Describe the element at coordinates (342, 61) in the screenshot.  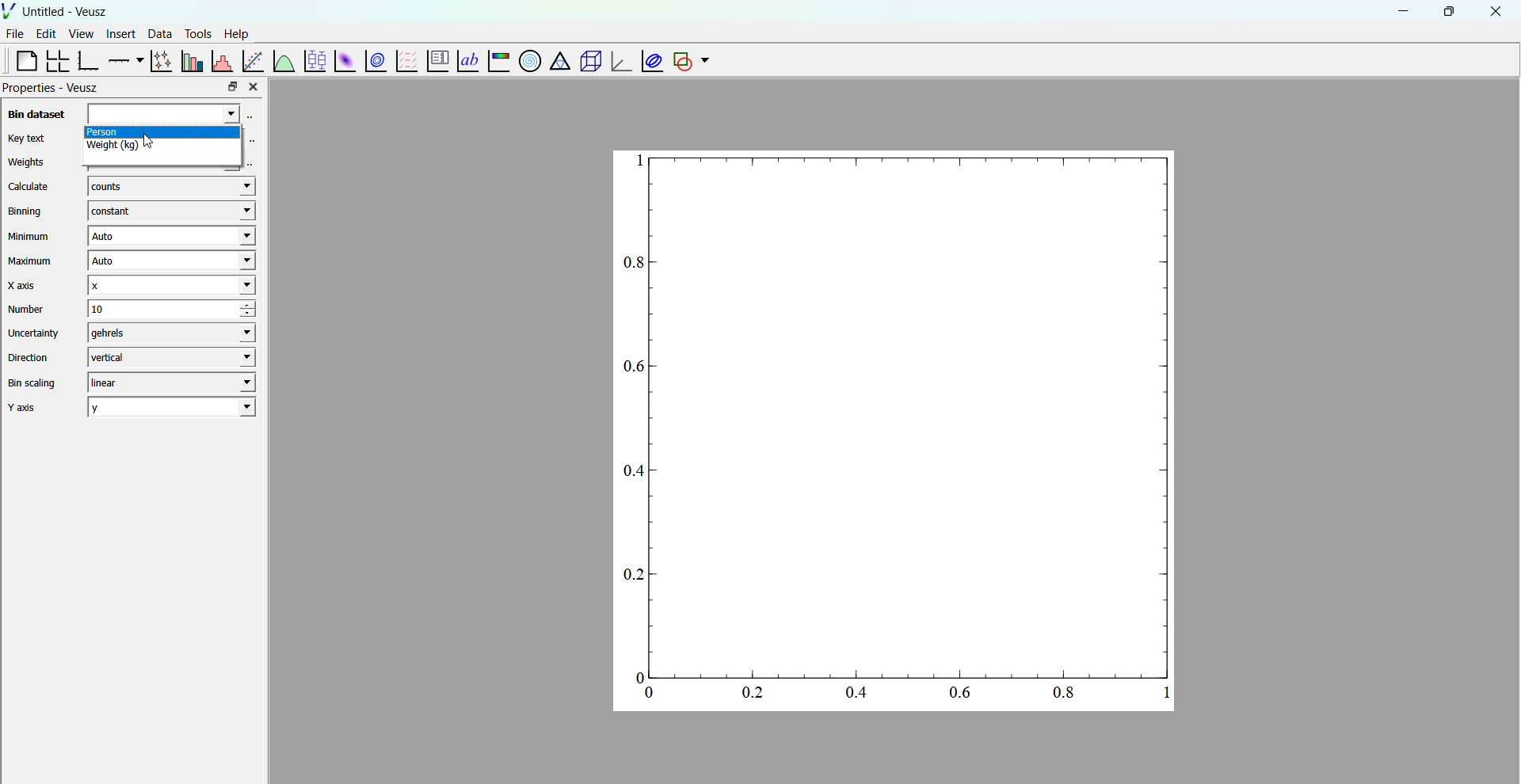
I see `plot 2d dataset as an image` at that location.